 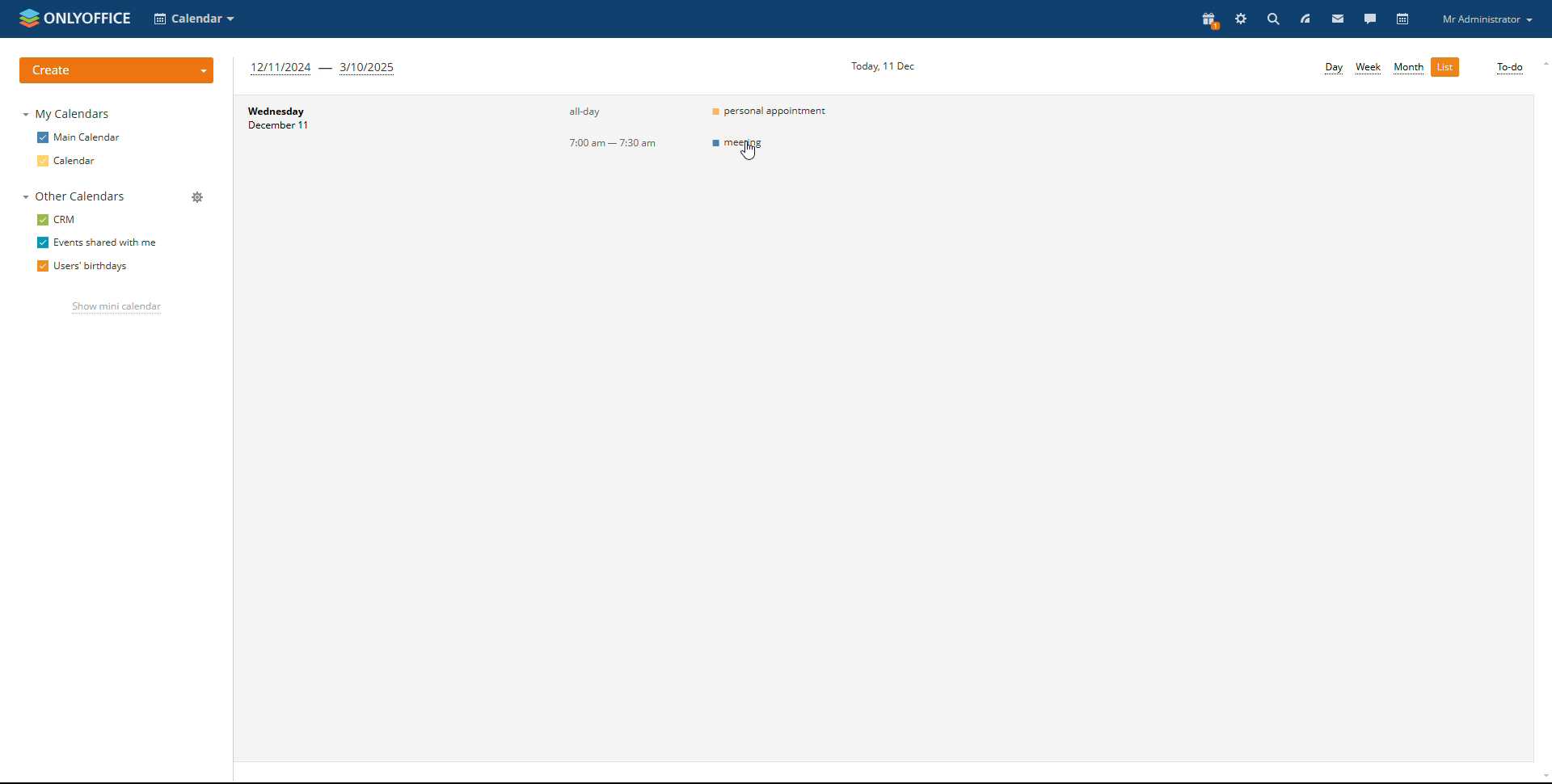 I want to click on to-do, so click(x=1509, y=69).